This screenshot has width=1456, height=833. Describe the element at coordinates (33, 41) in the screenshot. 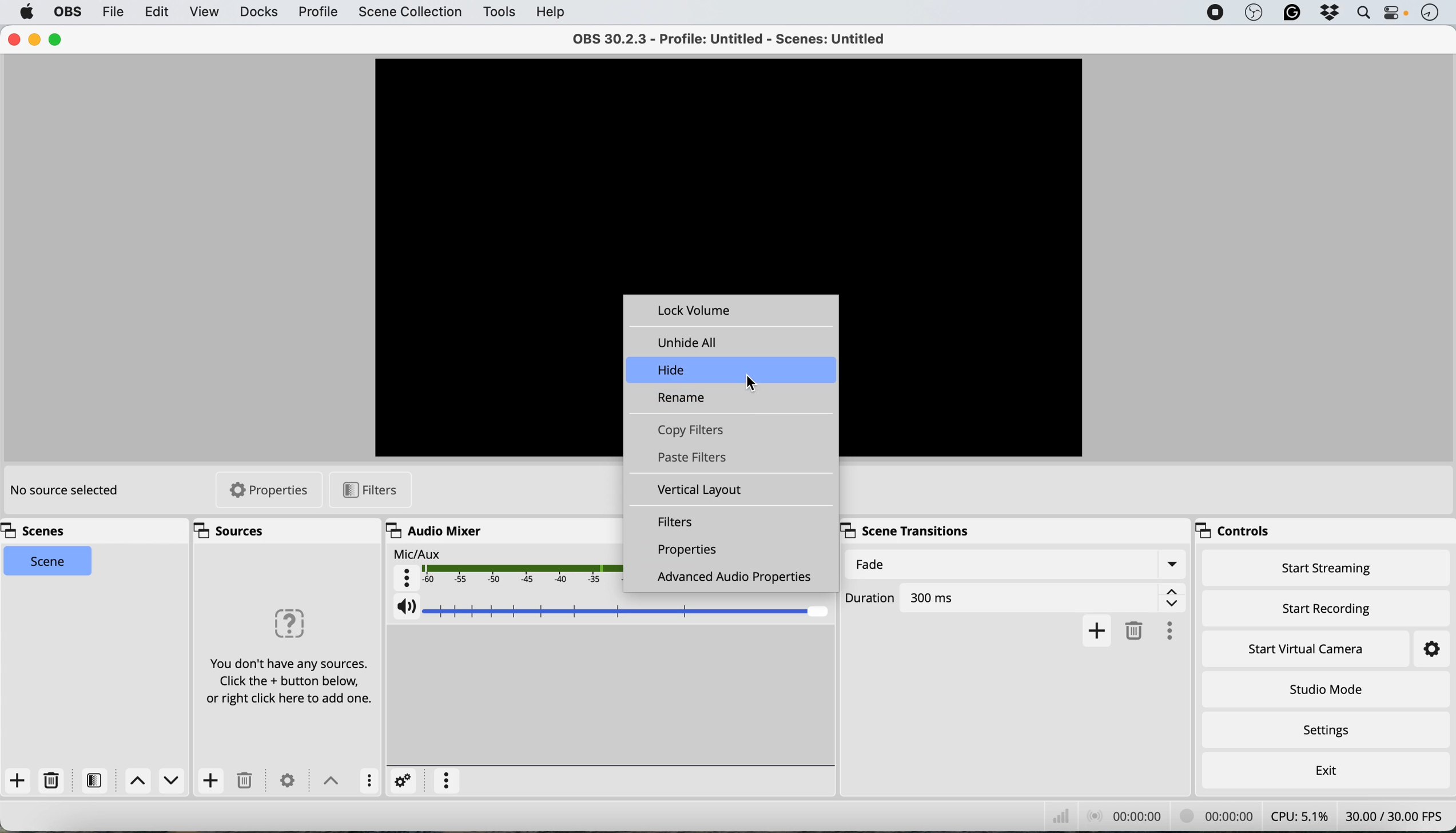

I see `minimise` at that location.